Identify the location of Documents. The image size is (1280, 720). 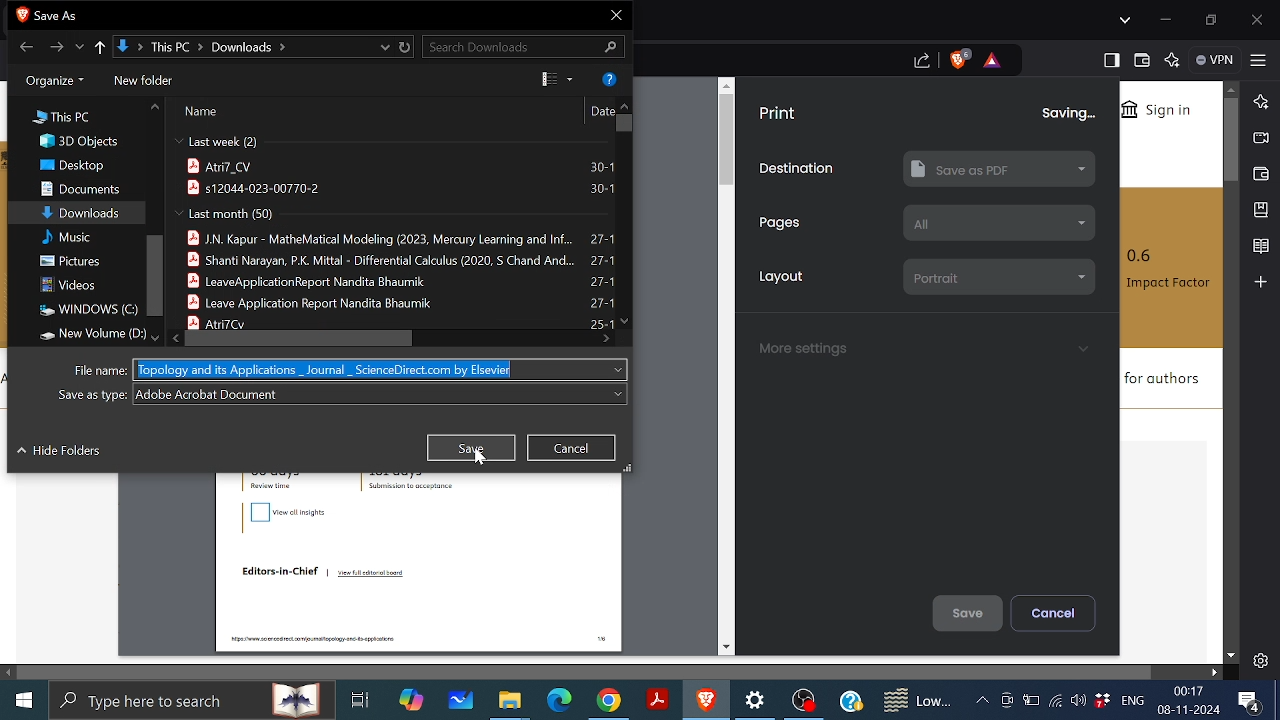
(84, 188).